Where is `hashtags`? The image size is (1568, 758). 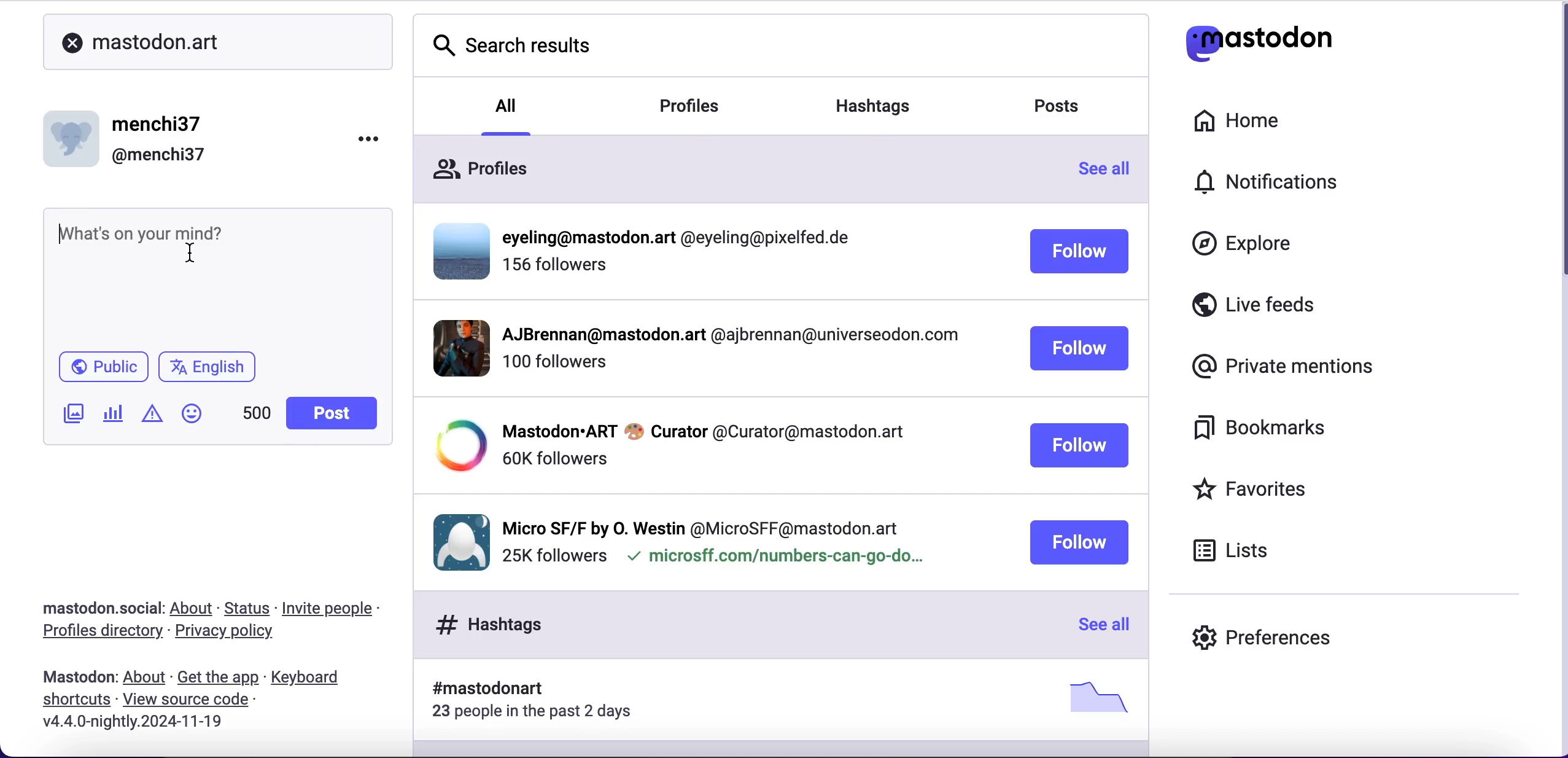
hashtags is located at coordinates (733, 624).